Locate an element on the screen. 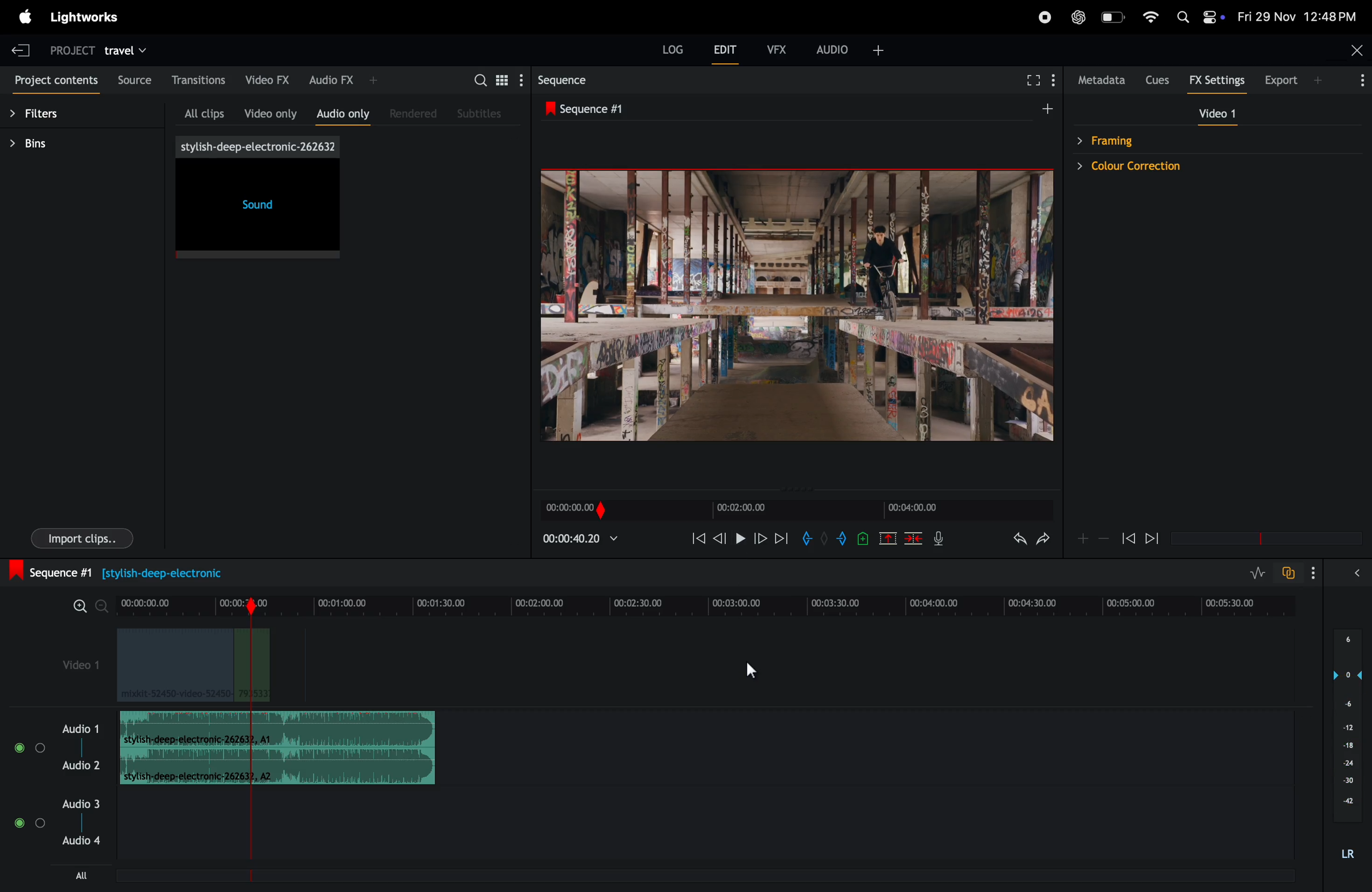 The height and width of the screenshot is (892, 1372). Audio Clip is located at coordinates (279, 768).